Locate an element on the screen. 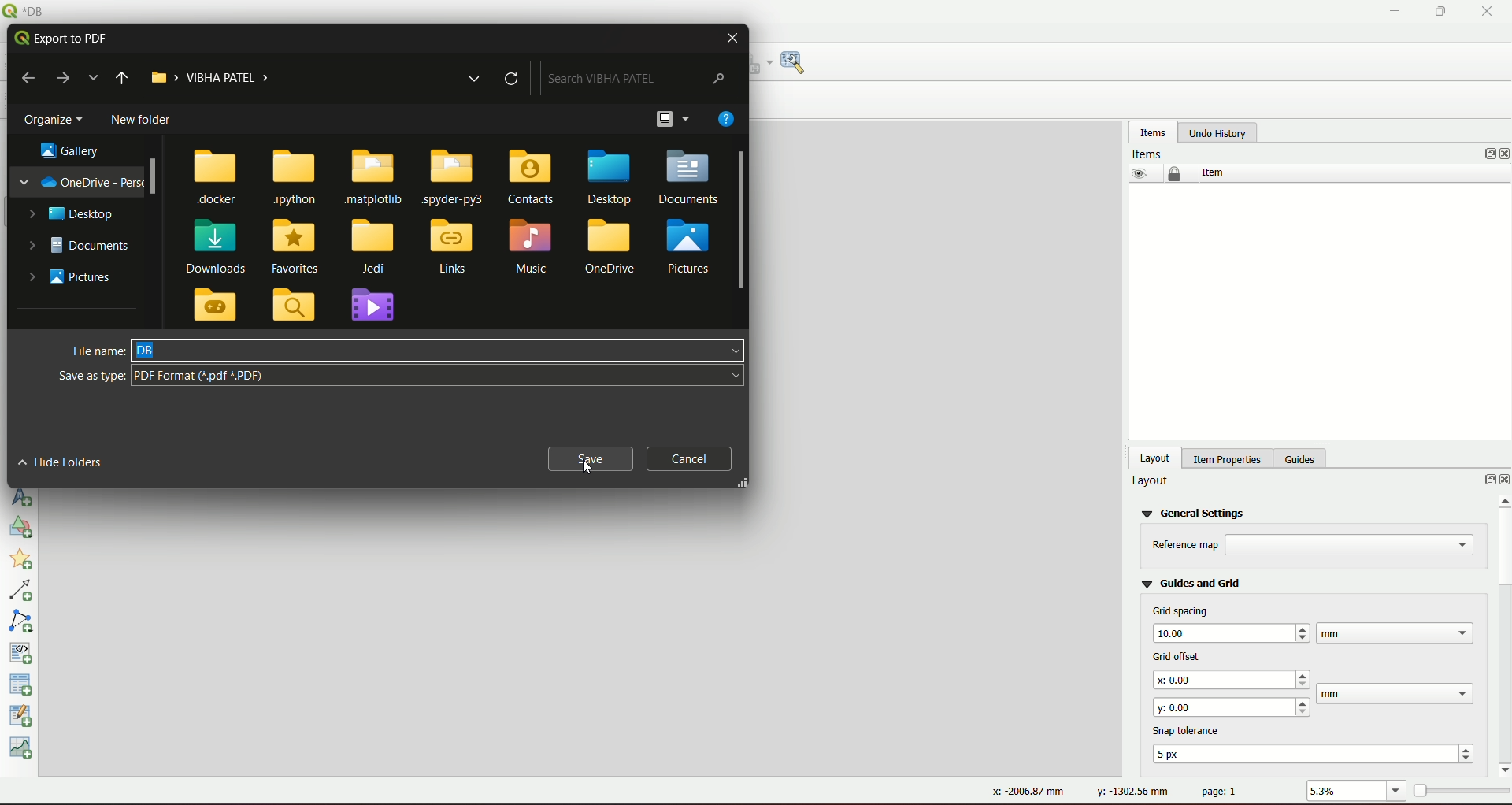 The image size is (1512, 805). Items is located at coordinates (1150, 153).